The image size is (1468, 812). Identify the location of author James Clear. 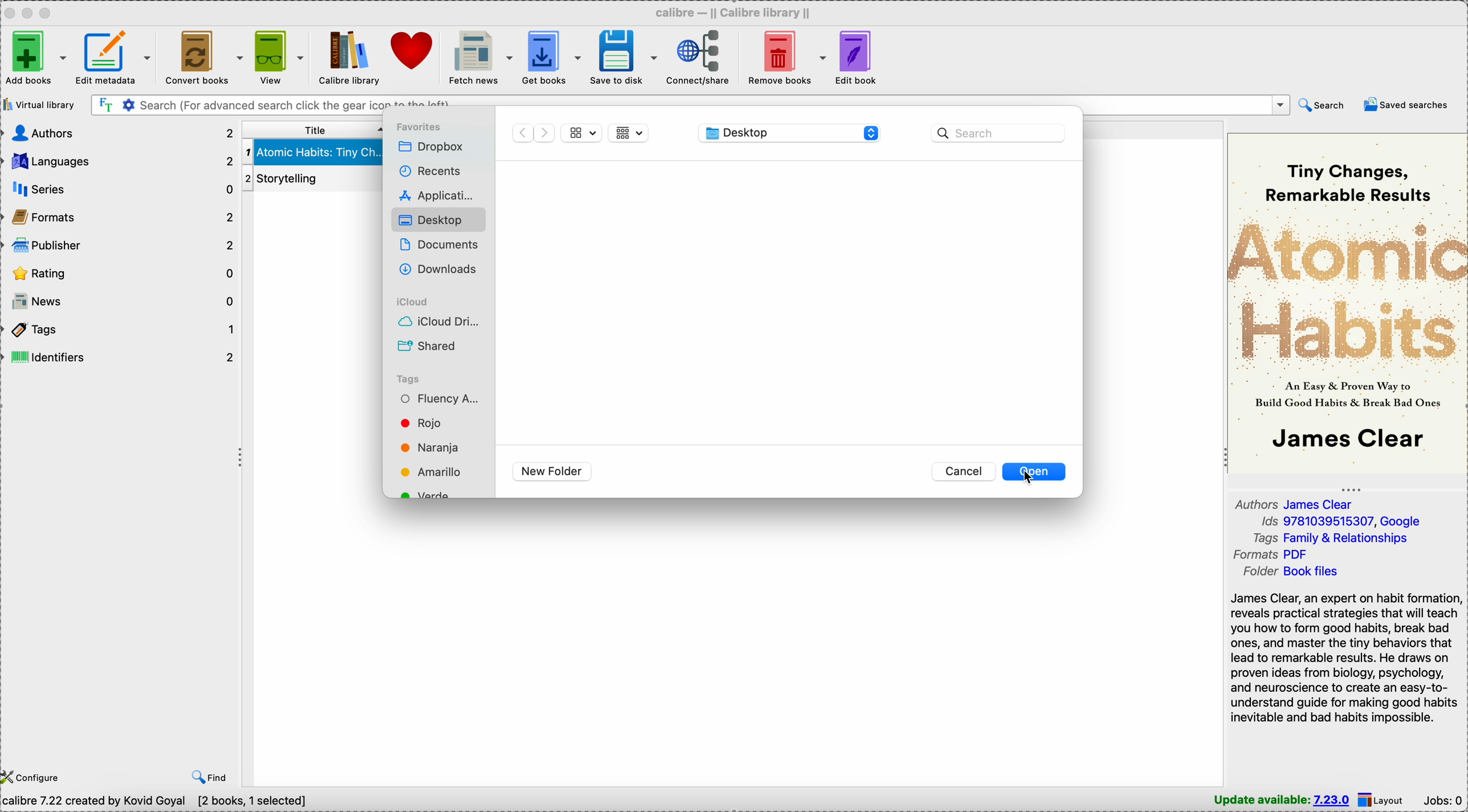
(1294, 503).